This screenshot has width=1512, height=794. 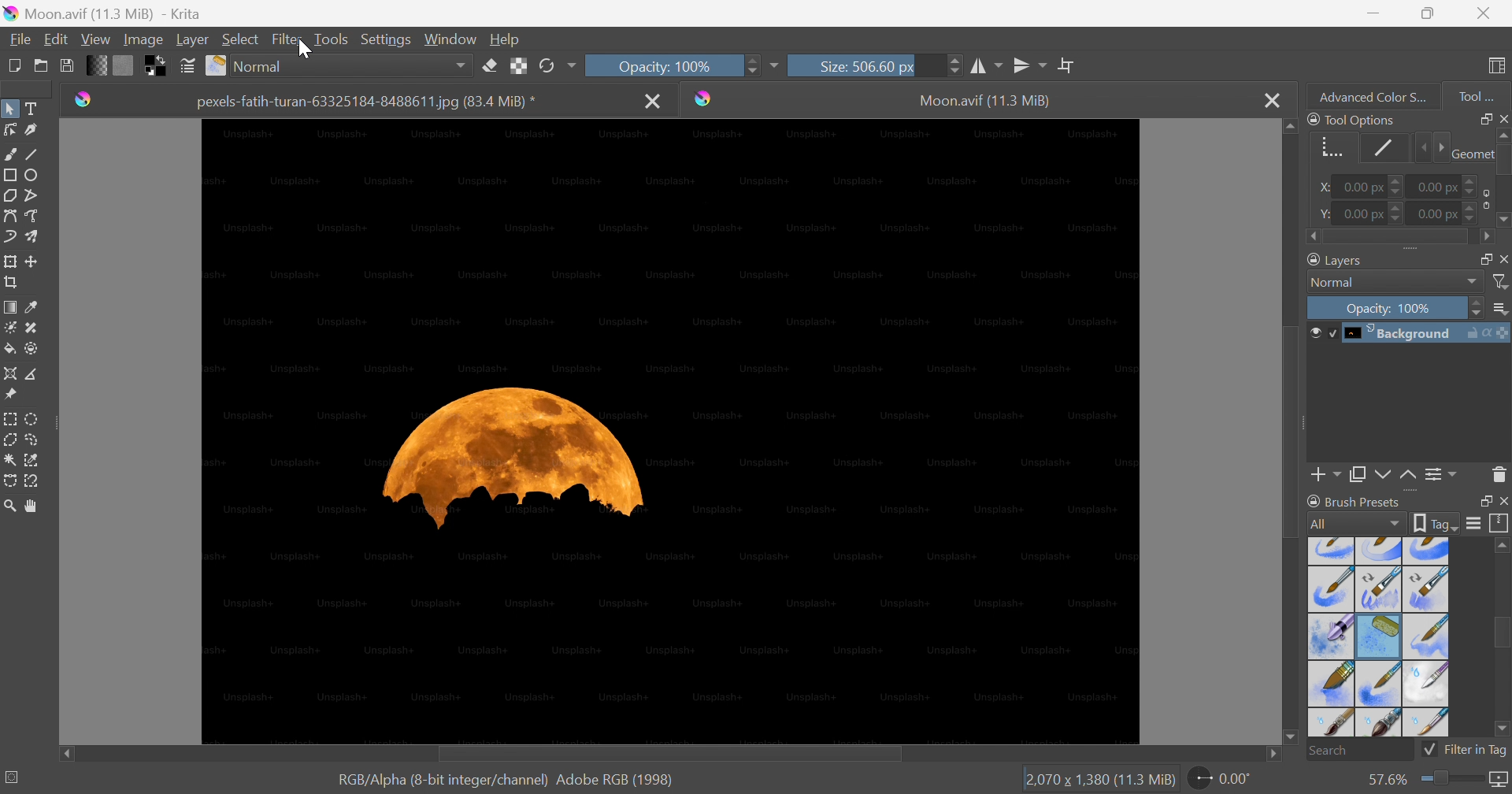 What do you see at coordinates (340, 66) in the screenshot?
I see `Favorites` at bounding box center [340, 66].